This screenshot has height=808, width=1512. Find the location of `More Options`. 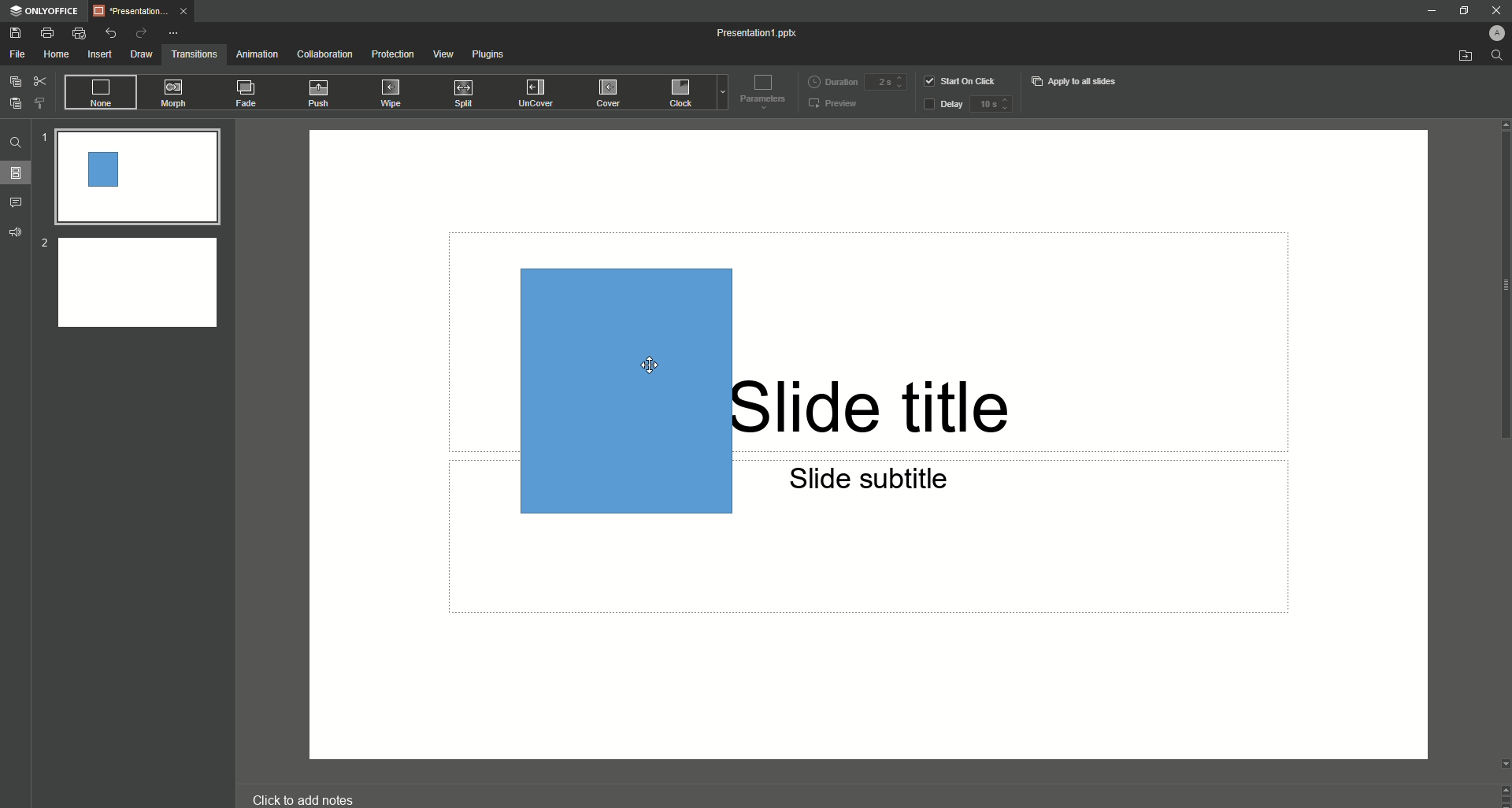

More Options is located at coordinates (173, 34).